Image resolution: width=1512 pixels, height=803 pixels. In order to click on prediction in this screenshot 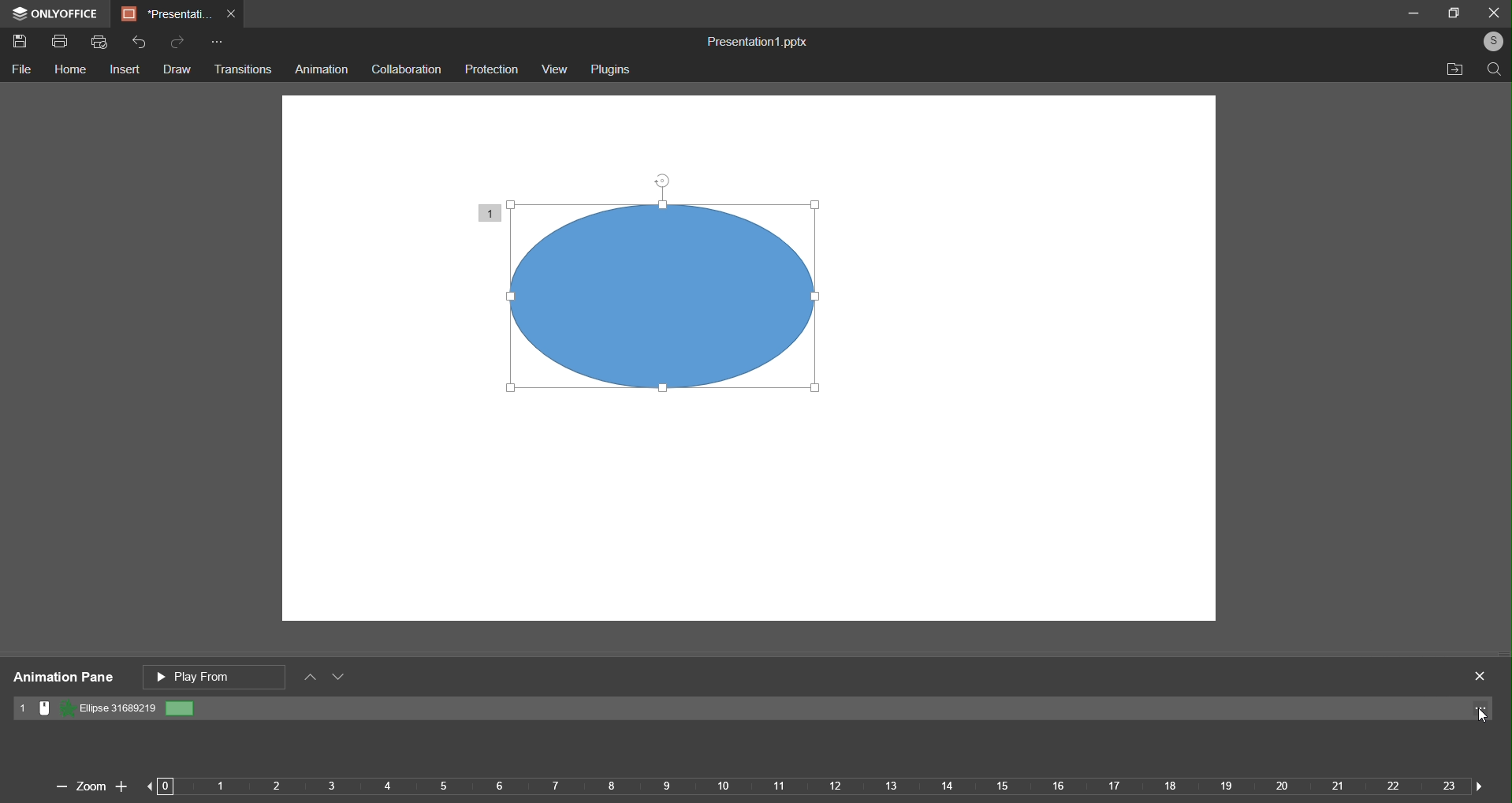, I will do `click(492, 69)`.